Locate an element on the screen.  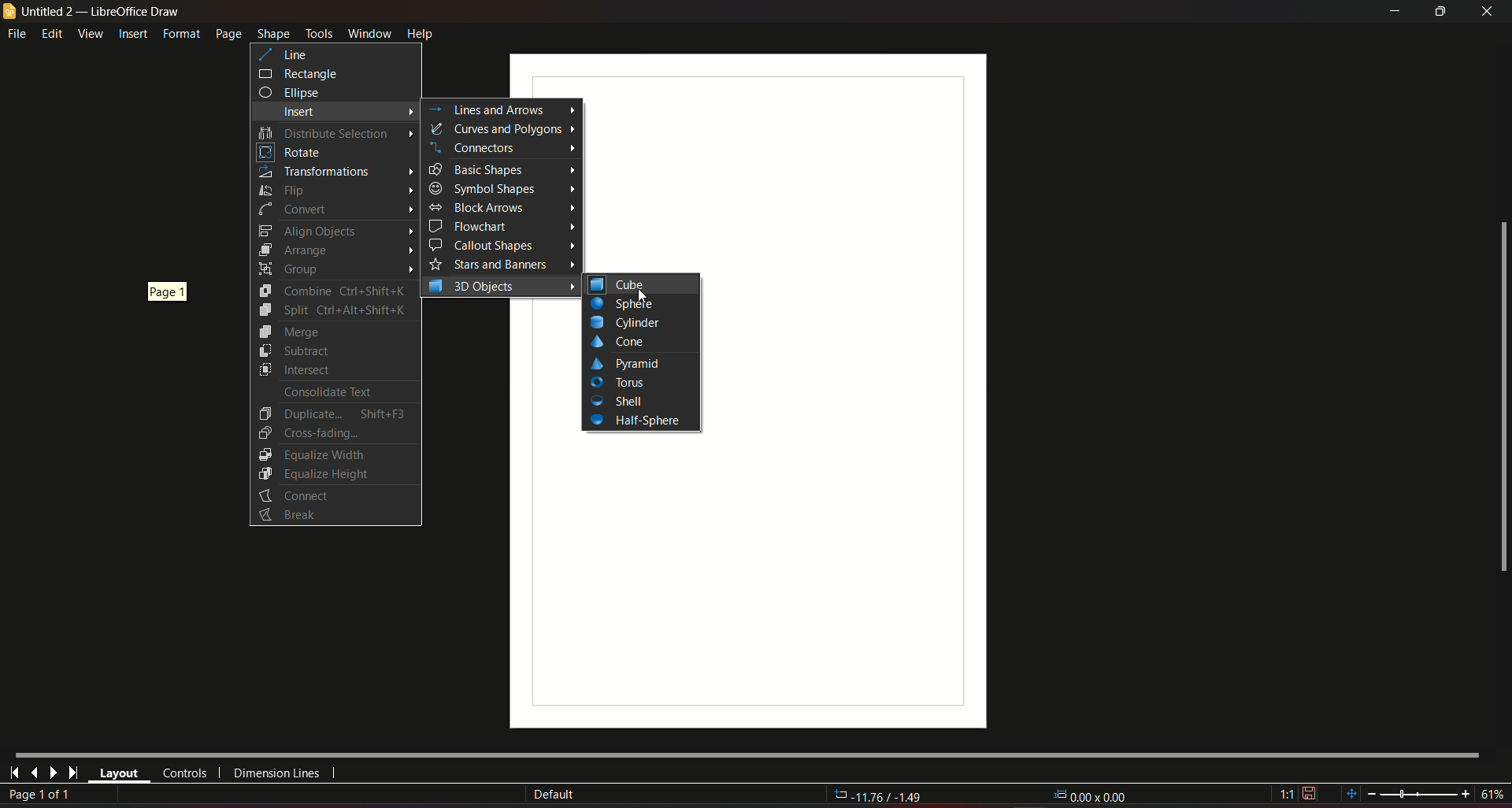
save is located at coordinates (1298, 794).